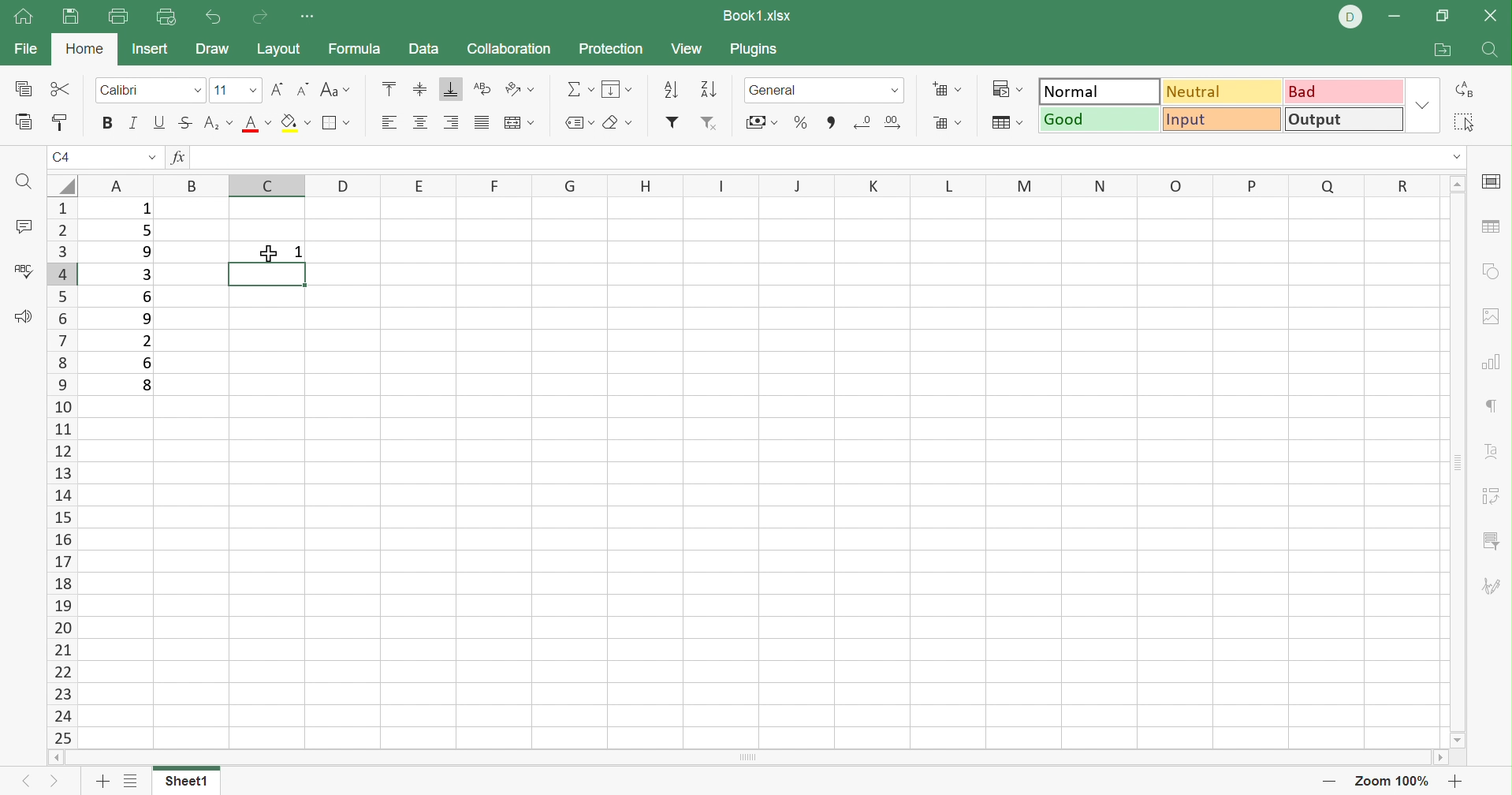 Image resolution: width=1512 pixels, height=795 pixels. What do you see at coordinates (1492, 227) in the screenshot?
I see `Table settings` at bounding box center [1492, 227].